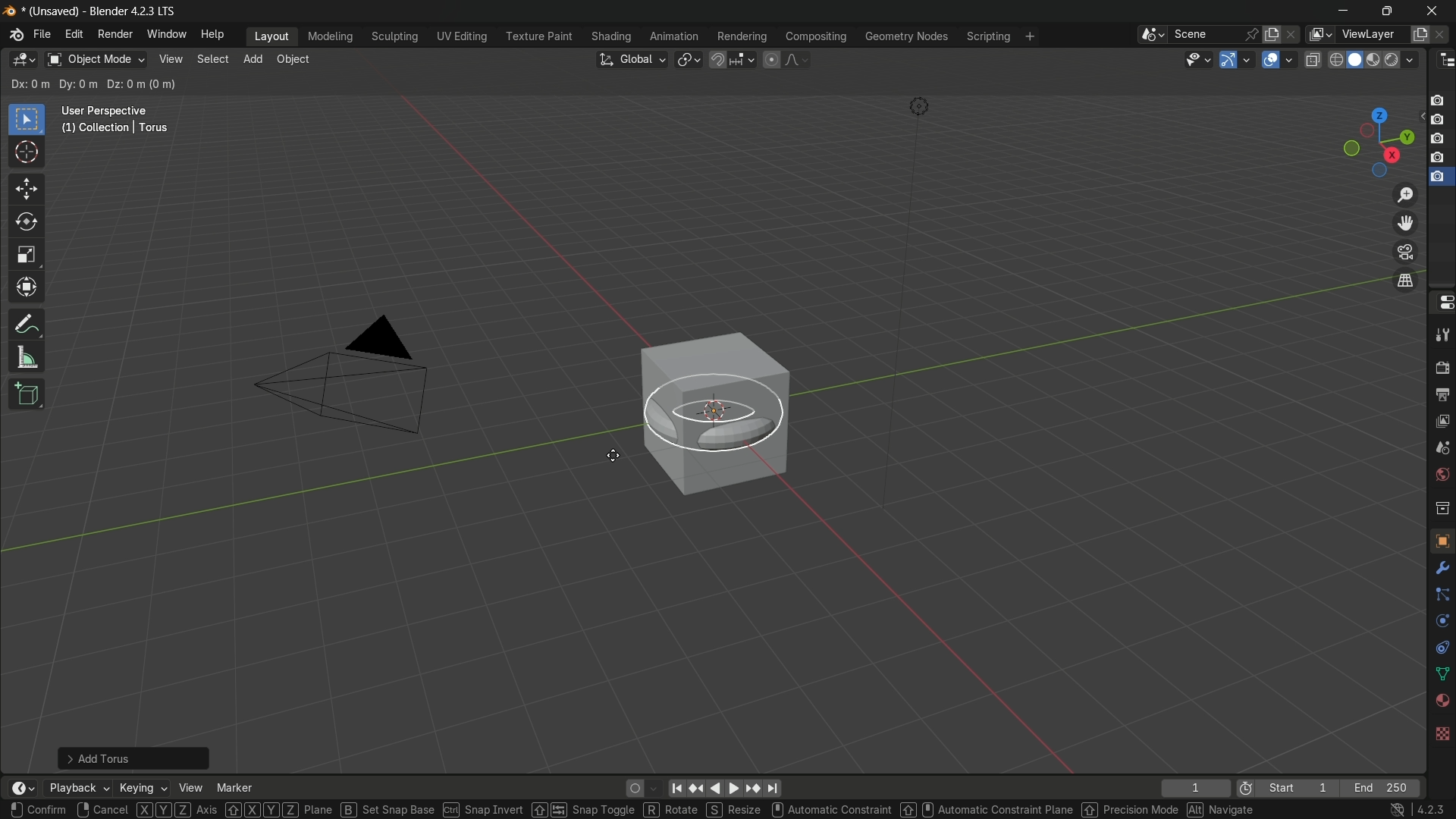 The width and height of the screenshot is (1456, 819). Describe the element at coordinates (1371, 34) in the screenshot. I see `viewLayer` at that location.